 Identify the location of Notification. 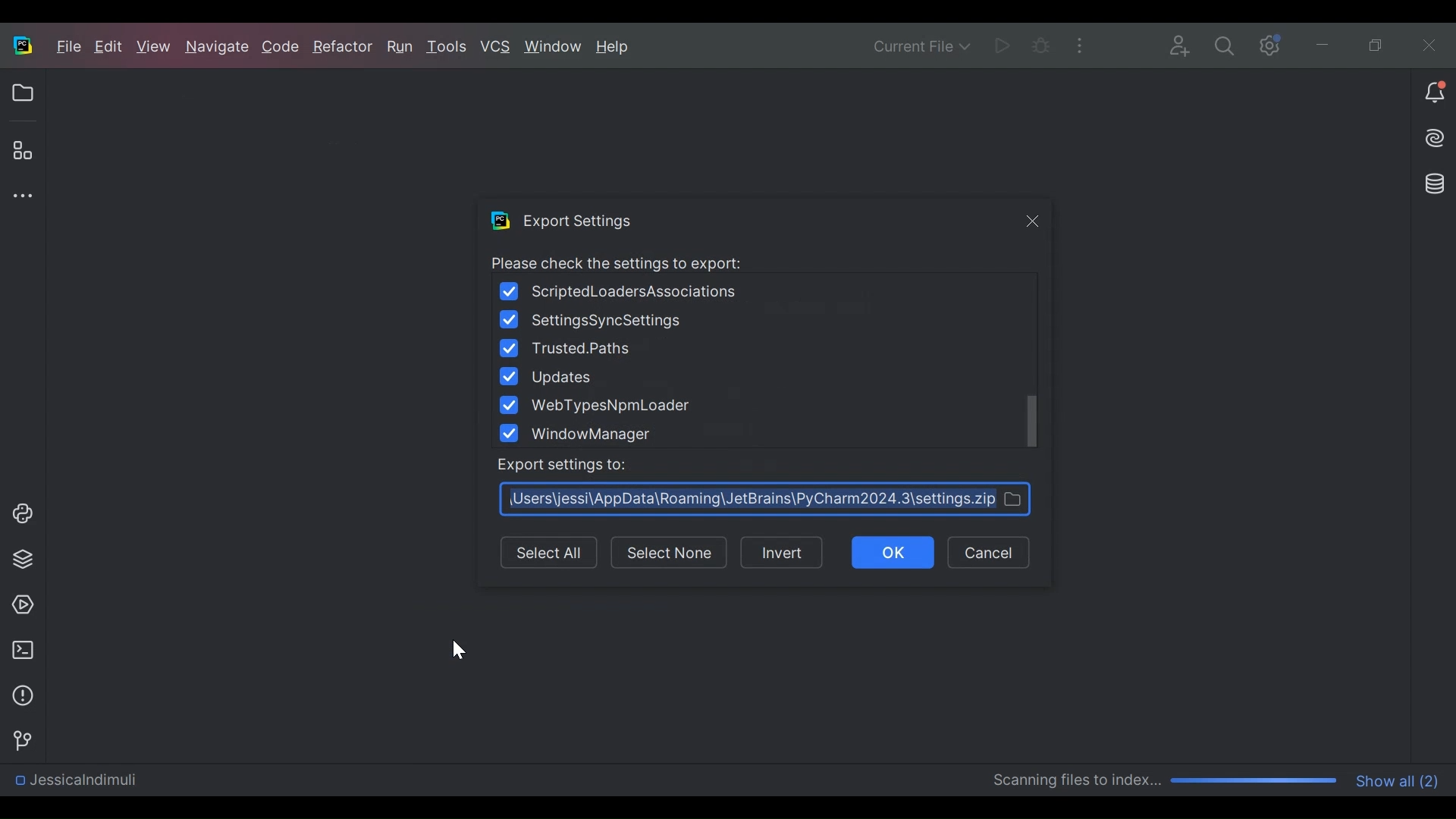
(1434, 93).